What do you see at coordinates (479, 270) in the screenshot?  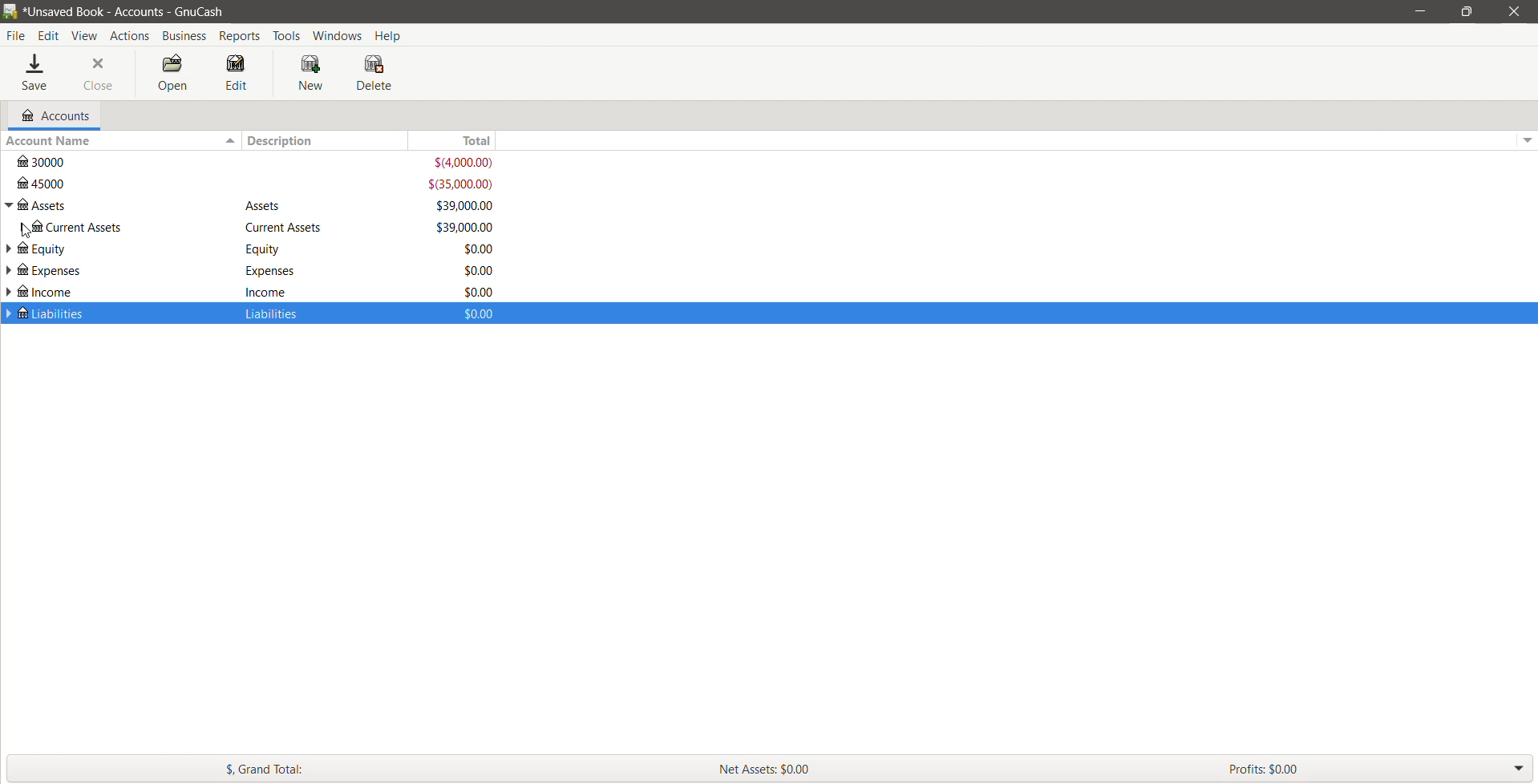 I see `$0.00` at bounding box center [479, 270].